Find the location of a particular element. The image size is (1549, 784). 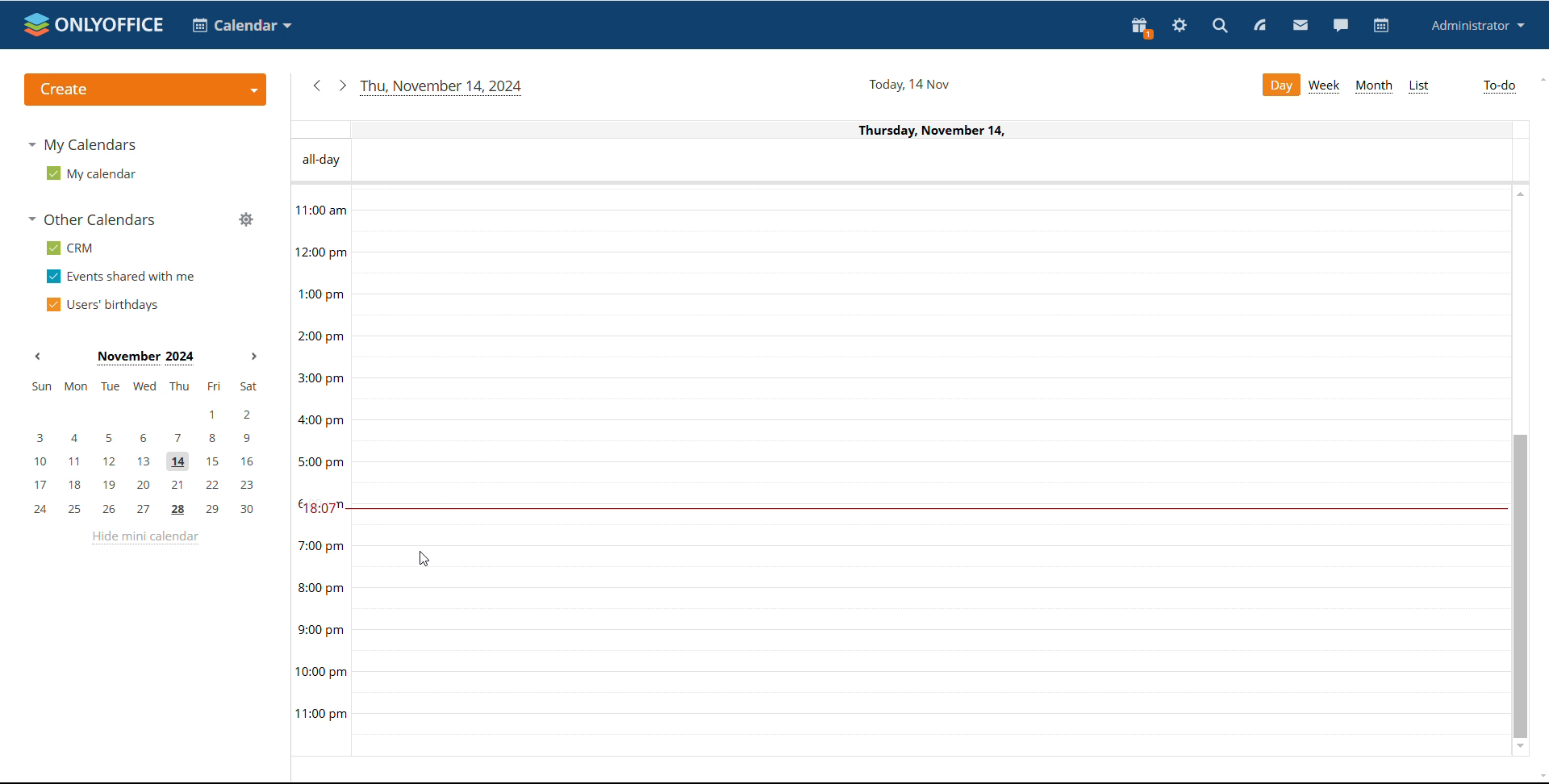

current date is located at coordinates (443, 88).